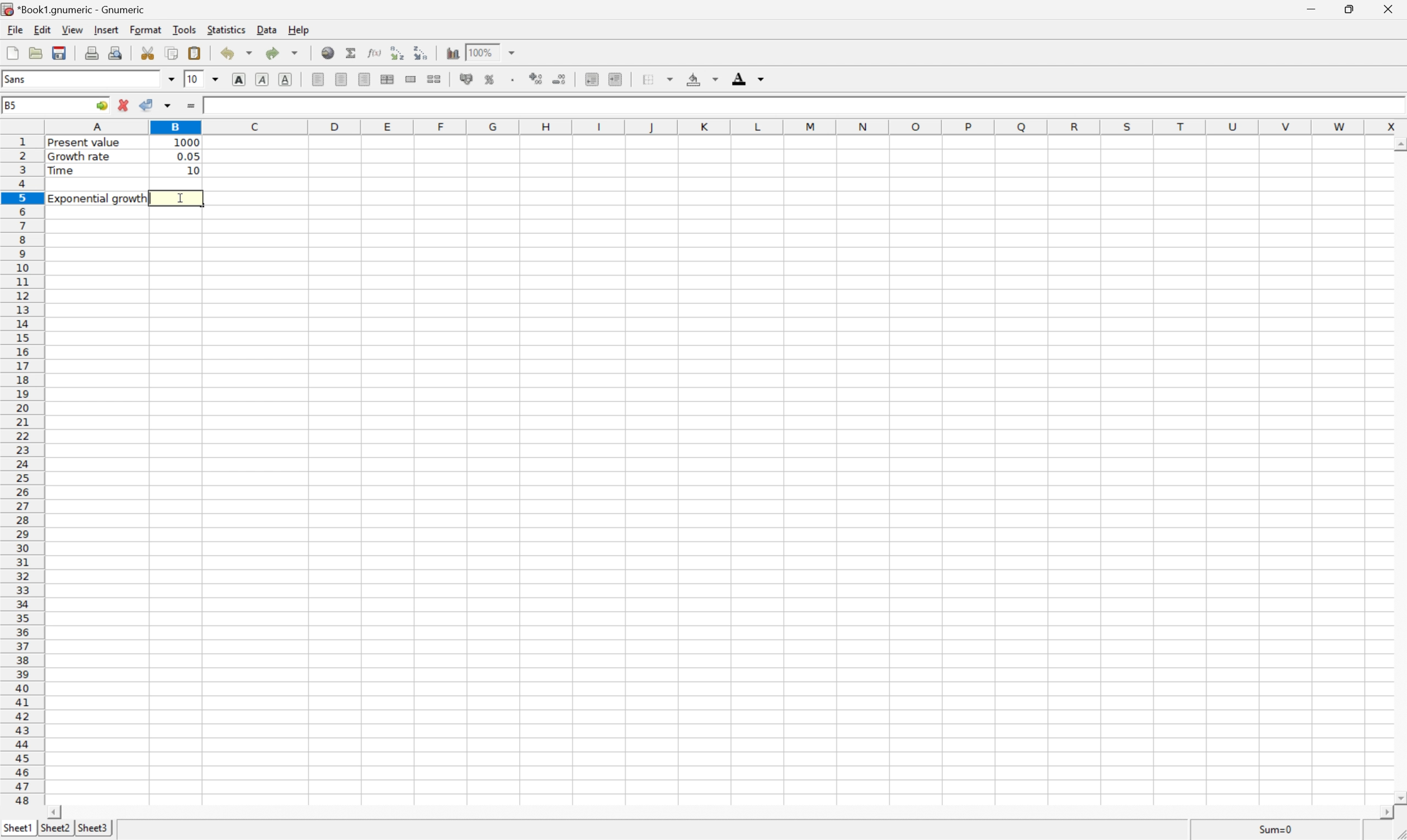  I want to click on Redo, so click(283, 54).